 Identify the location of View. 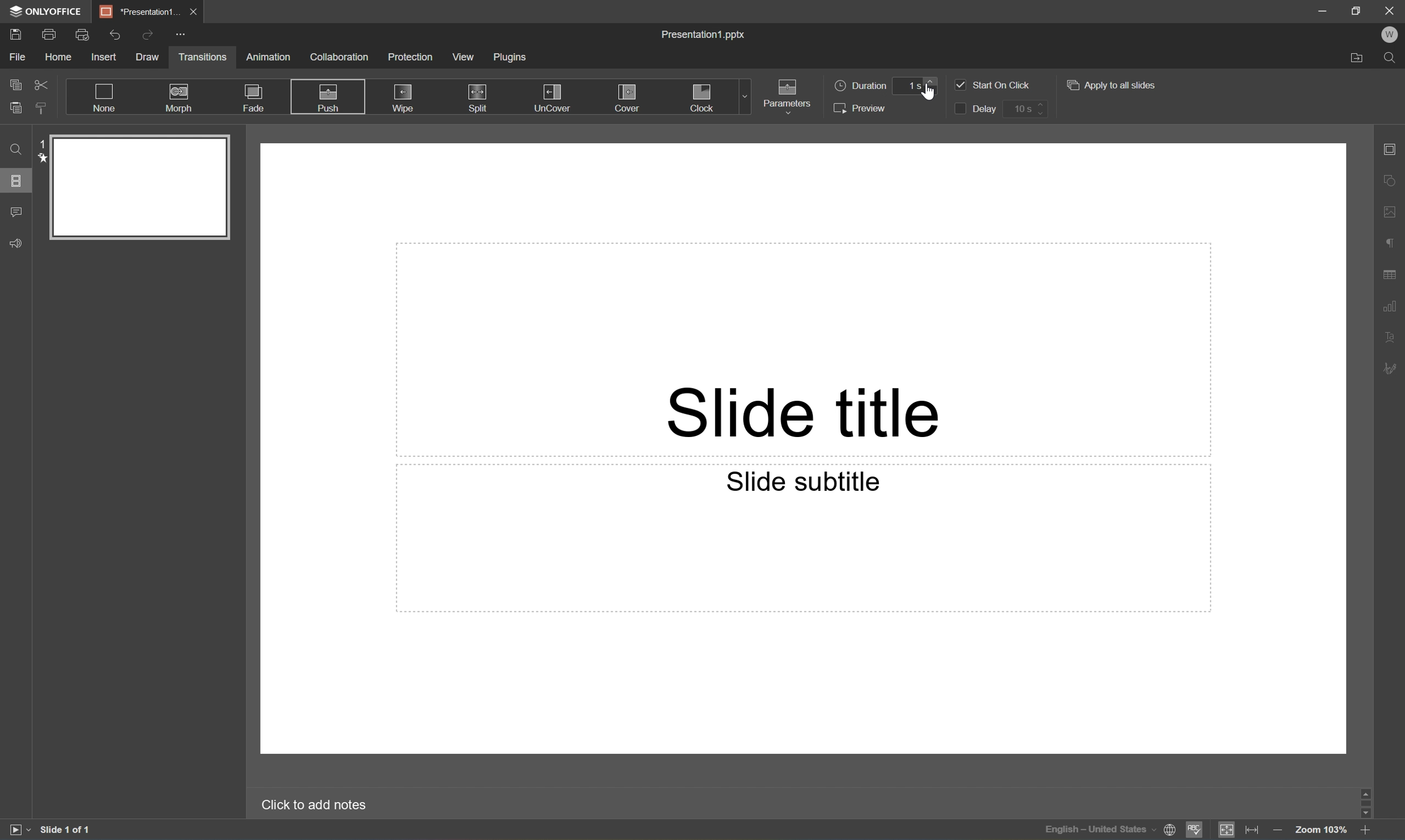
(463, 58).